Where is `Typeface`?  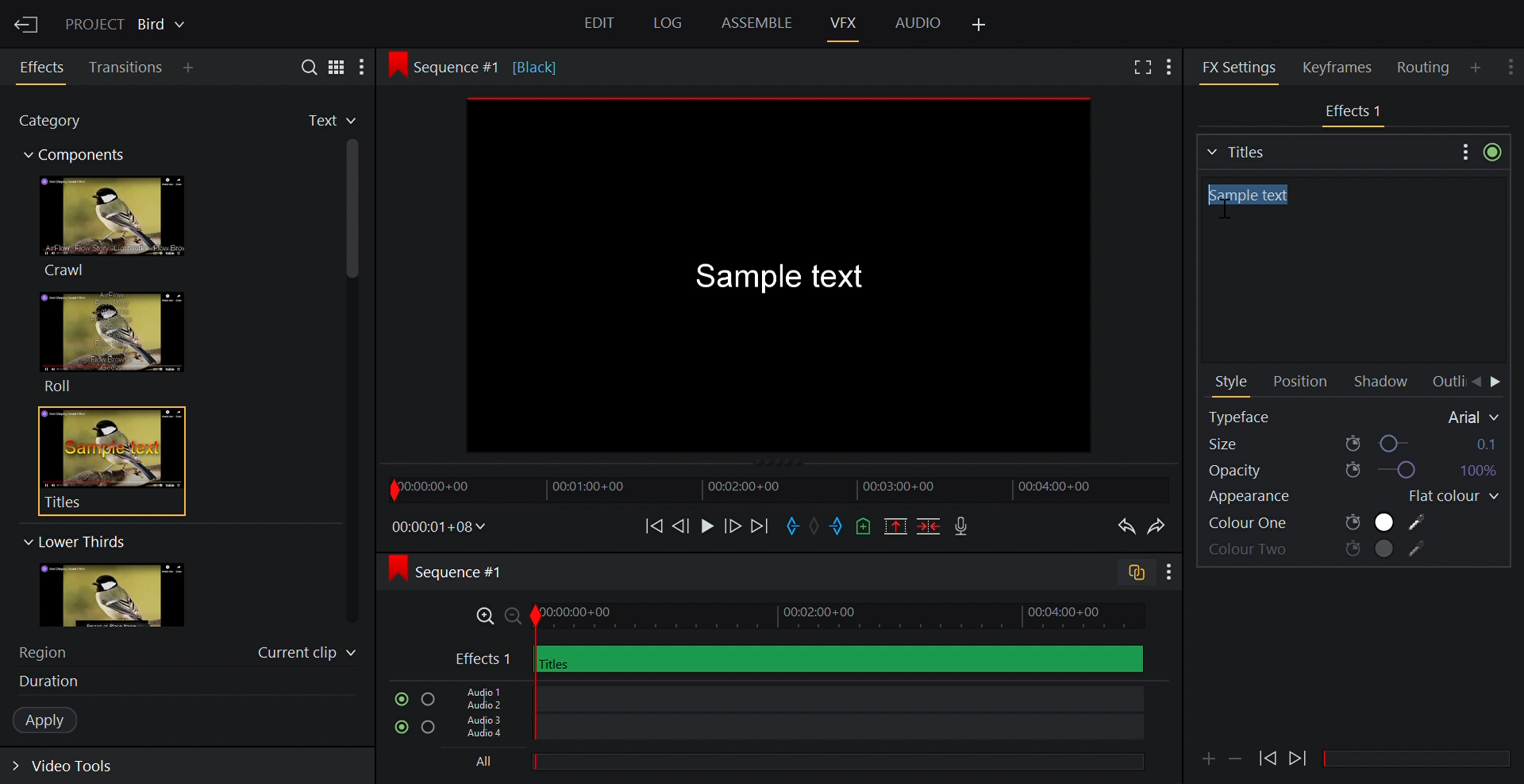 Typeface is located at coordinates (1355, 417).